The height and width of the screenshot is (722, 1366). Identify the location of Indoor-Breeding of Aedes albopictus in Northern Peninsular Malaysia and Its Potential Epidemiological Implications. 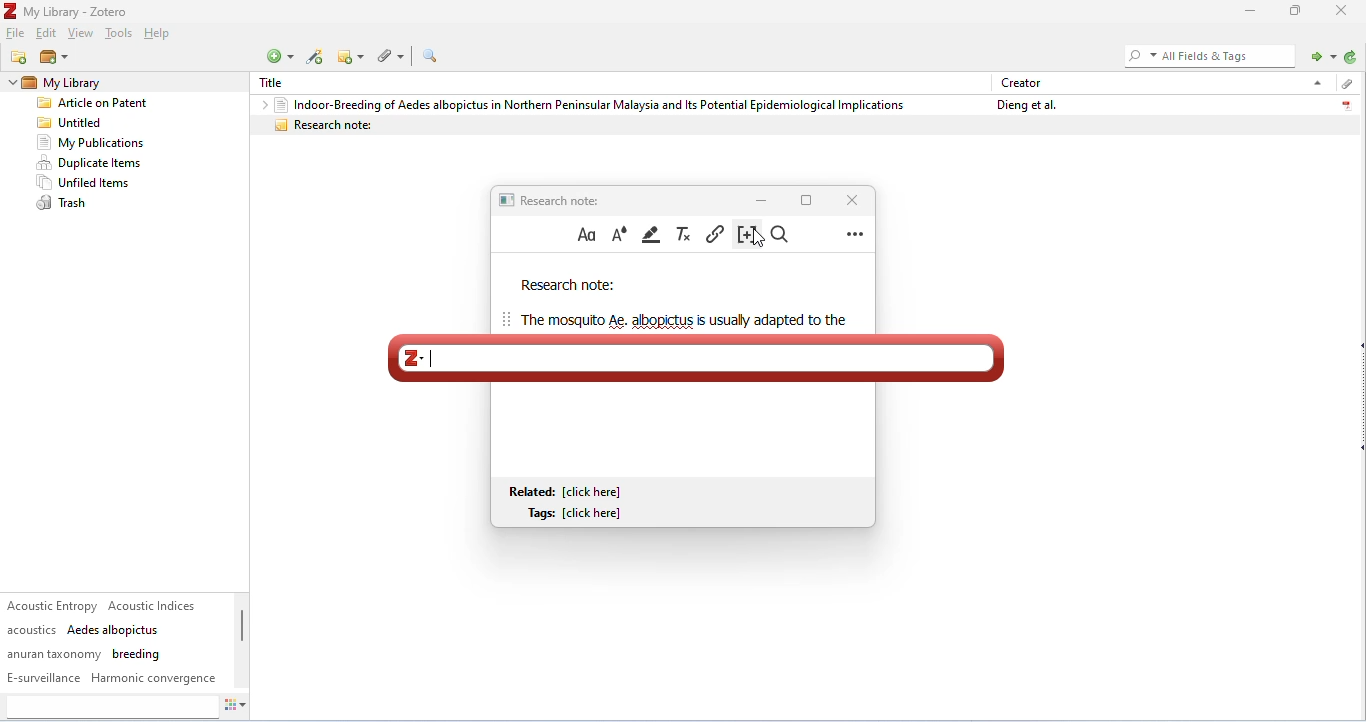
(589, 104).